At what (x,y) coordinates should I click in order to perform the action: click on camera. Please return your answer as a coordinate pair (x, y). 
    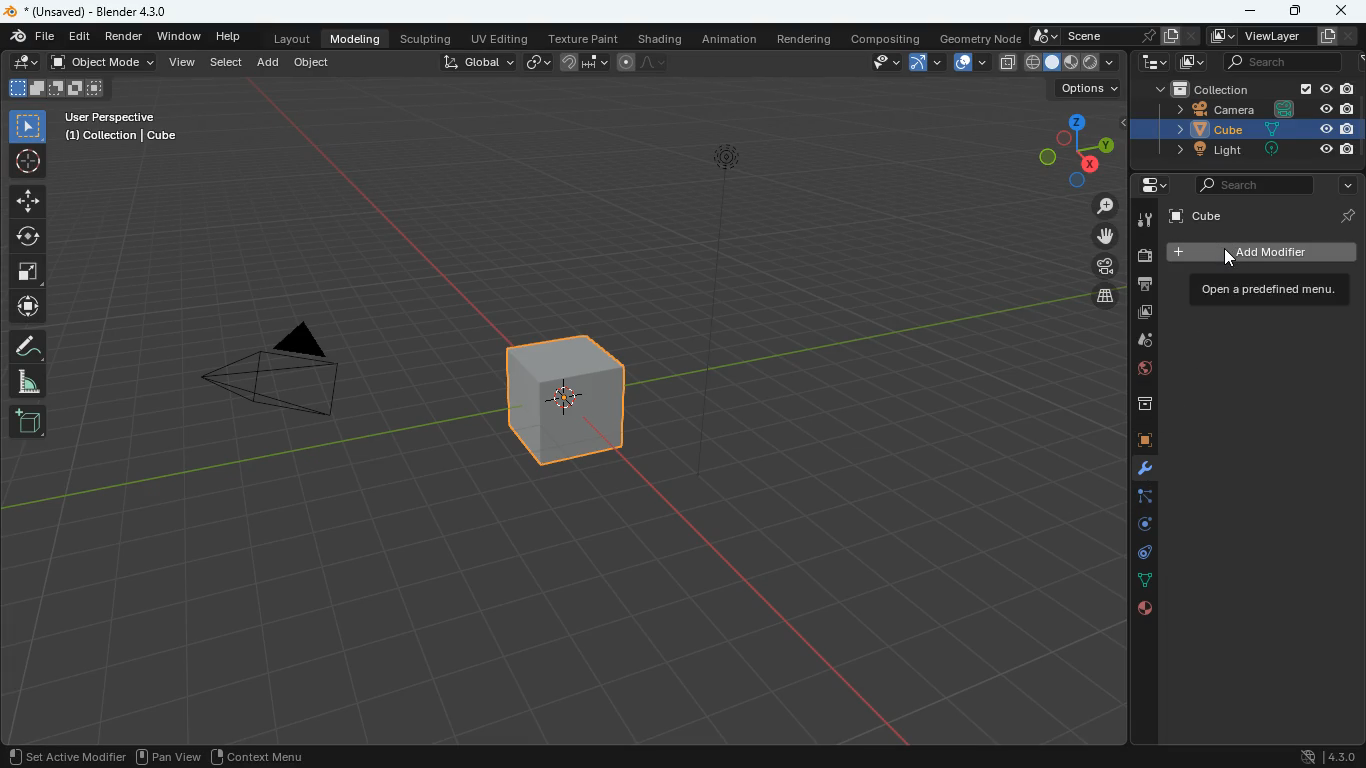
    Looking at the image, I should click on (1141, 256).